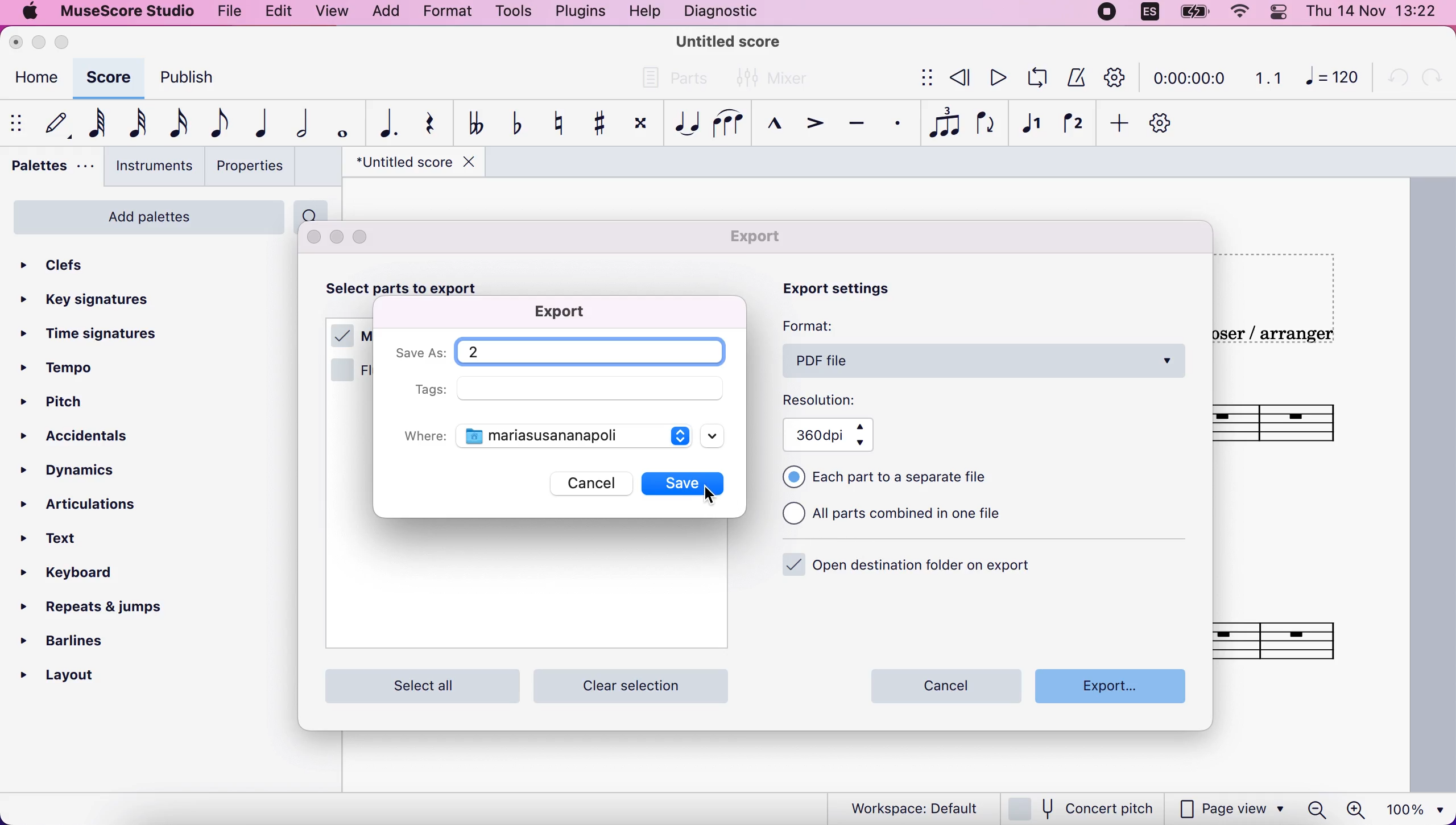 The height and width of the screenshot is (825, 1456). I want to click on dynamics, so click(88, 471).